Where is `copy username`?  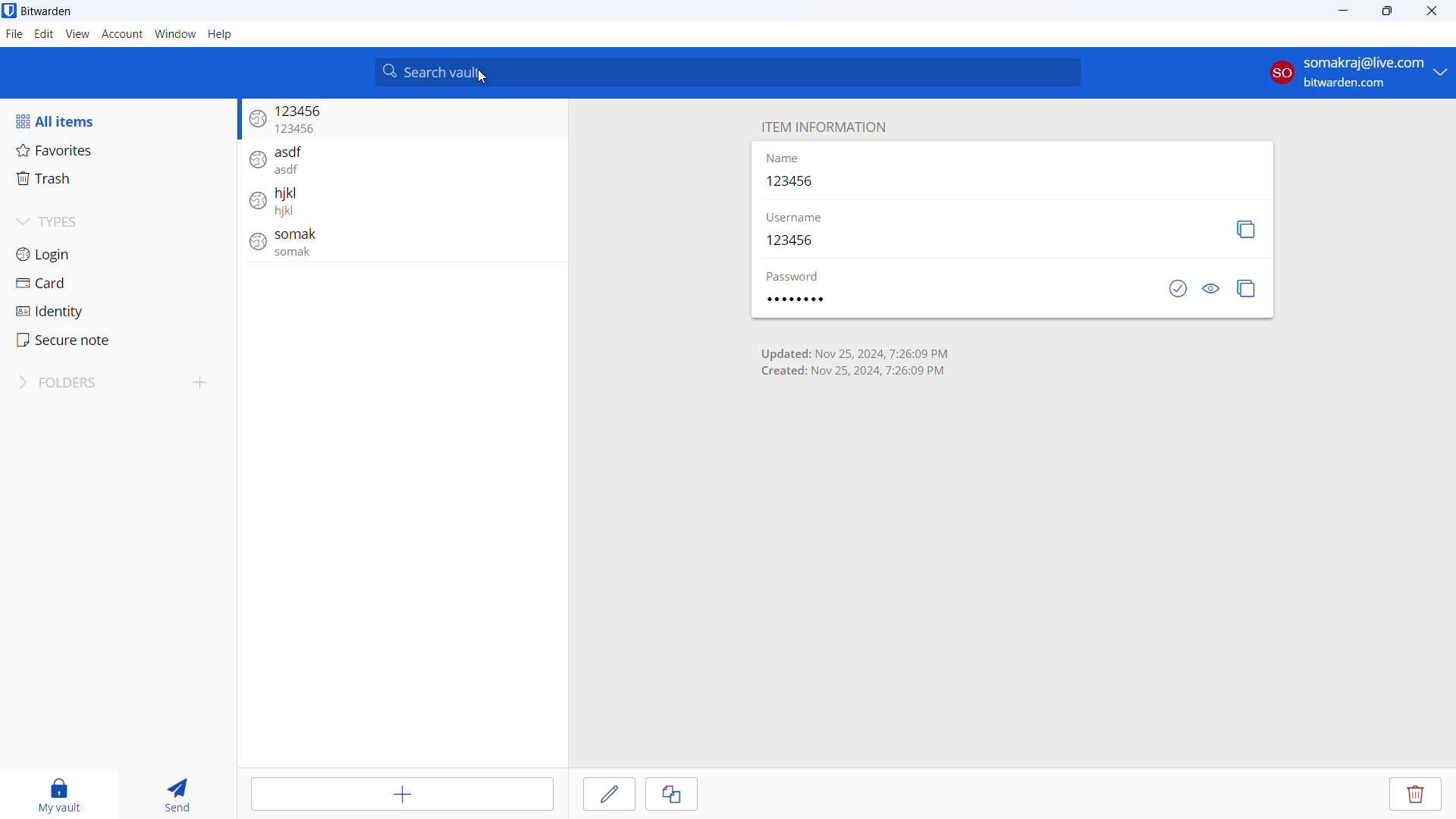
copy username is located at coordinates (1245, 230).